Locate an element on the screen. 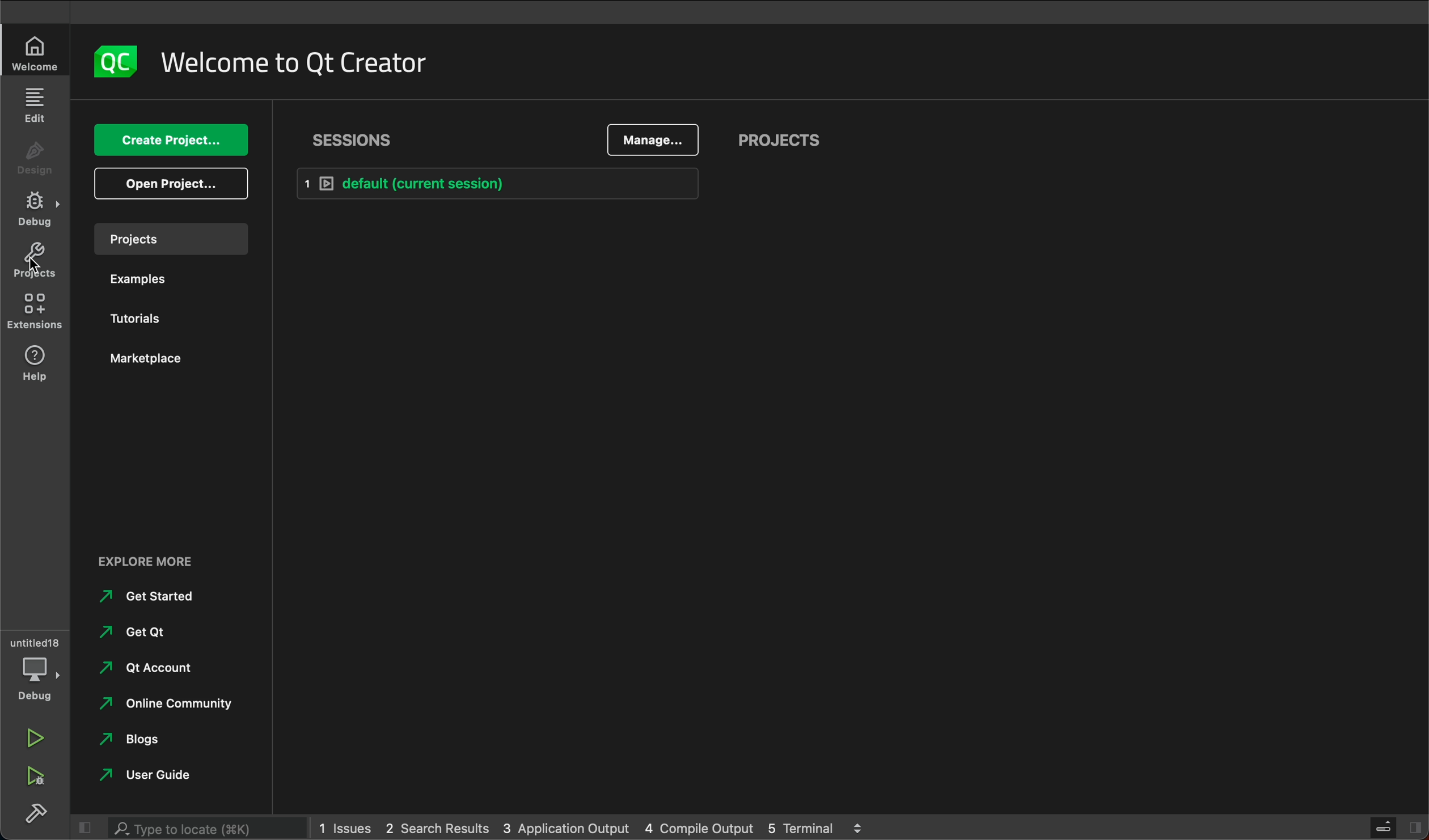 This screenshot has width=1429, height=840. welcome is located at coordinates (36, 54).